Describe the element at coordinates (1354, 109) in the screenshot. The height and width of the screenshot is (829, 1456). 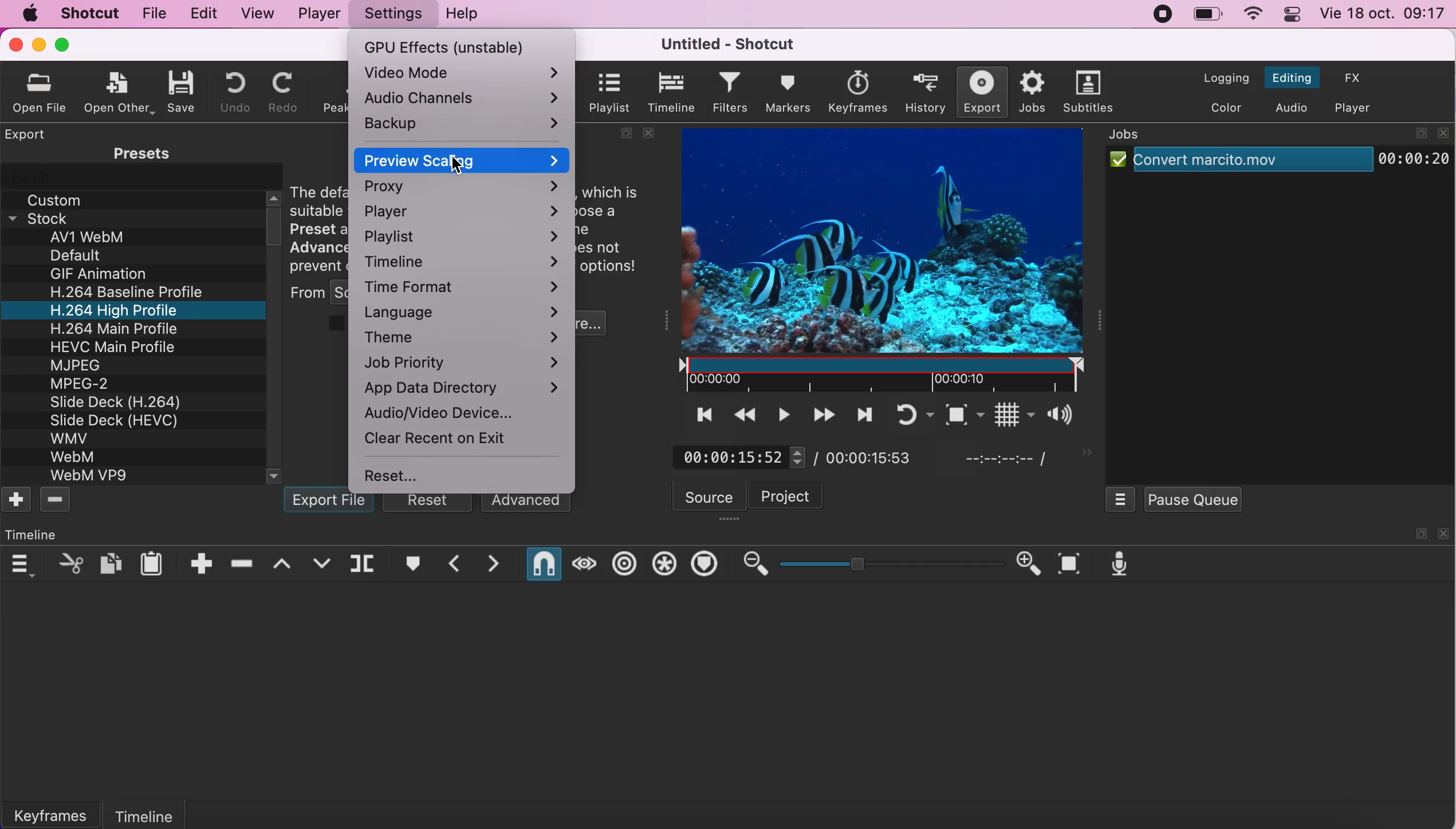
I see `switch to the player only layout` at that location.